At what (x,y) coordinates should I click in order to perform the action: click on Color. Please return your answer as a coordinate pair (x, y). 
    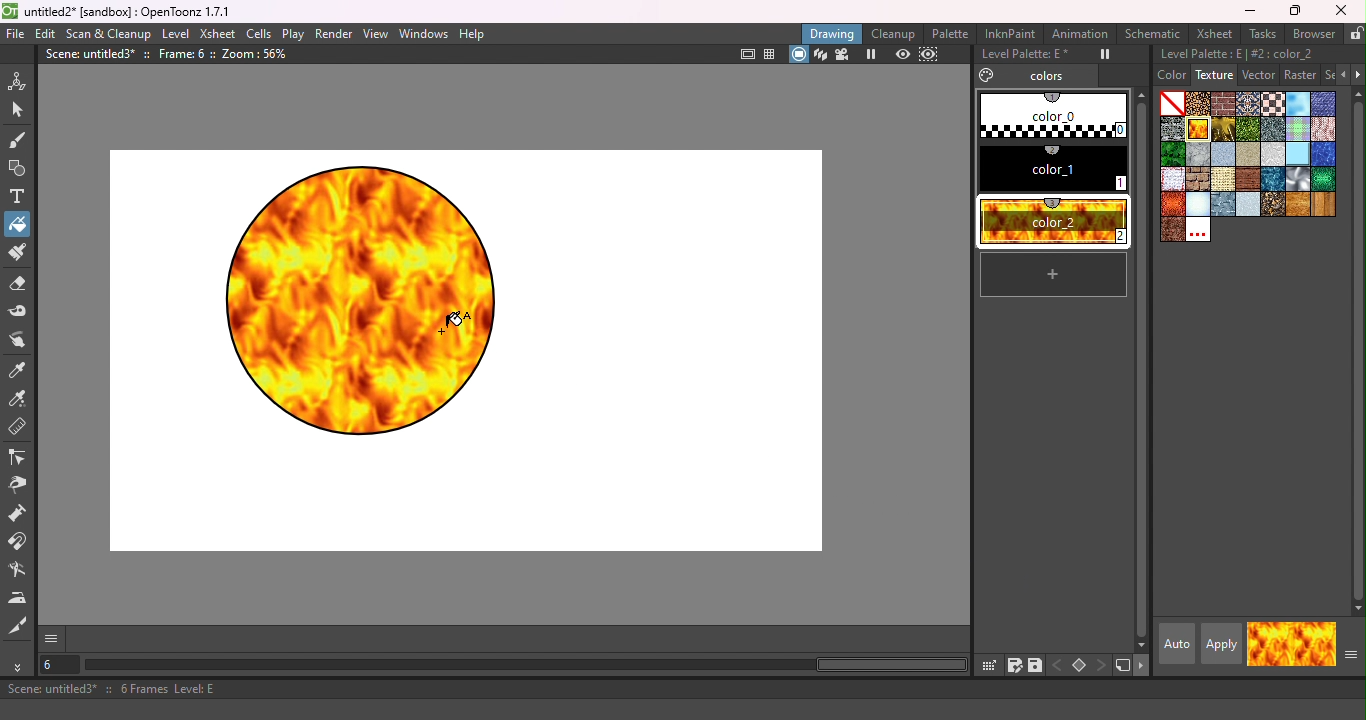
    Looking at the image, I should click on (1165, 76).